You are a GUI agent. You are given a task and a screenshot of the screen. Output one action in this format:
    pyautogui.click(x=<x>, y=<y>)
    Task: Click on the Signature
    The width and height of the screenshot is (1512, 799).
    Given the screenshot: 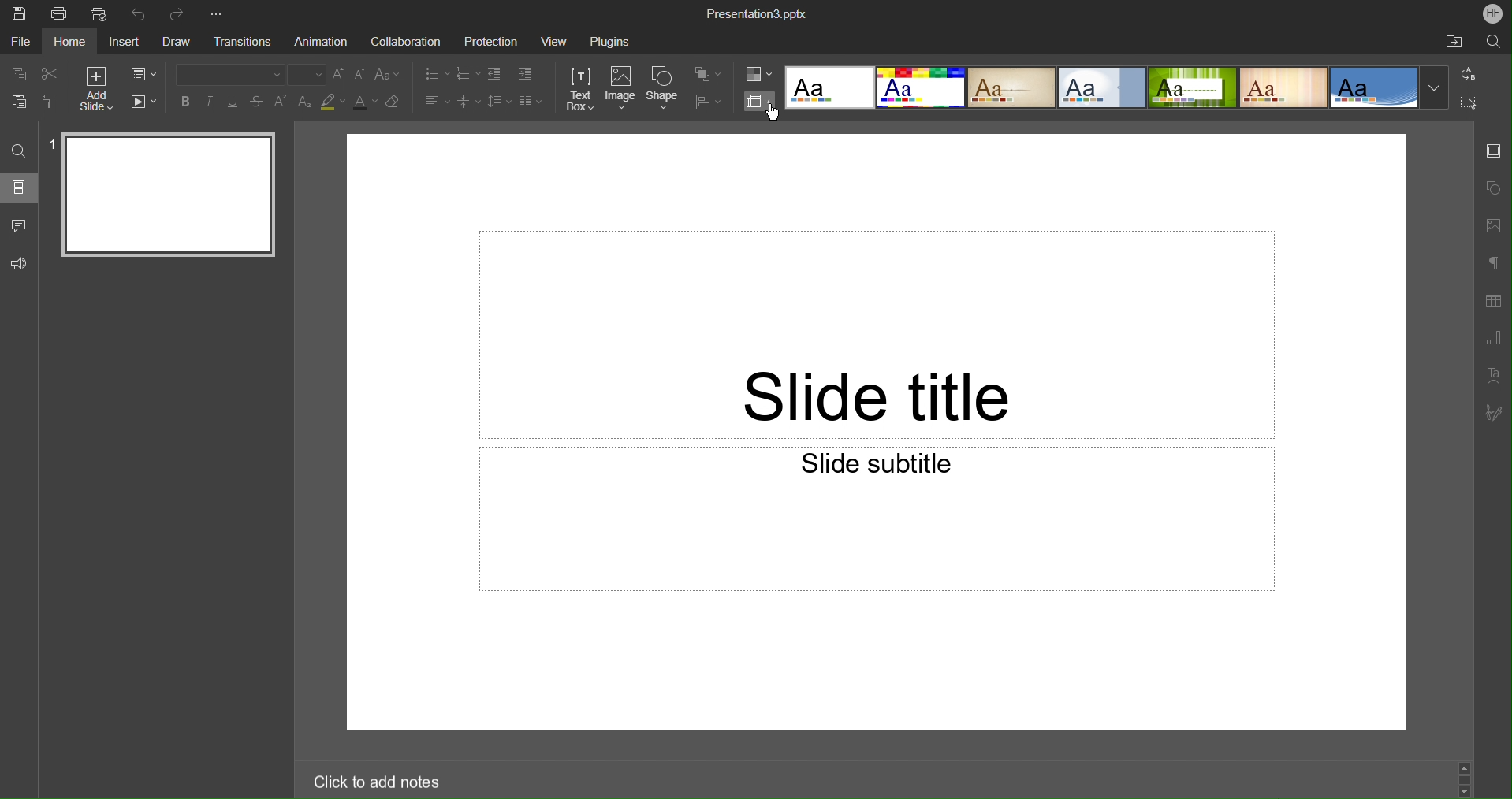 What is the action you would take?
    pyautogui.click(x=1492, y=413)
    